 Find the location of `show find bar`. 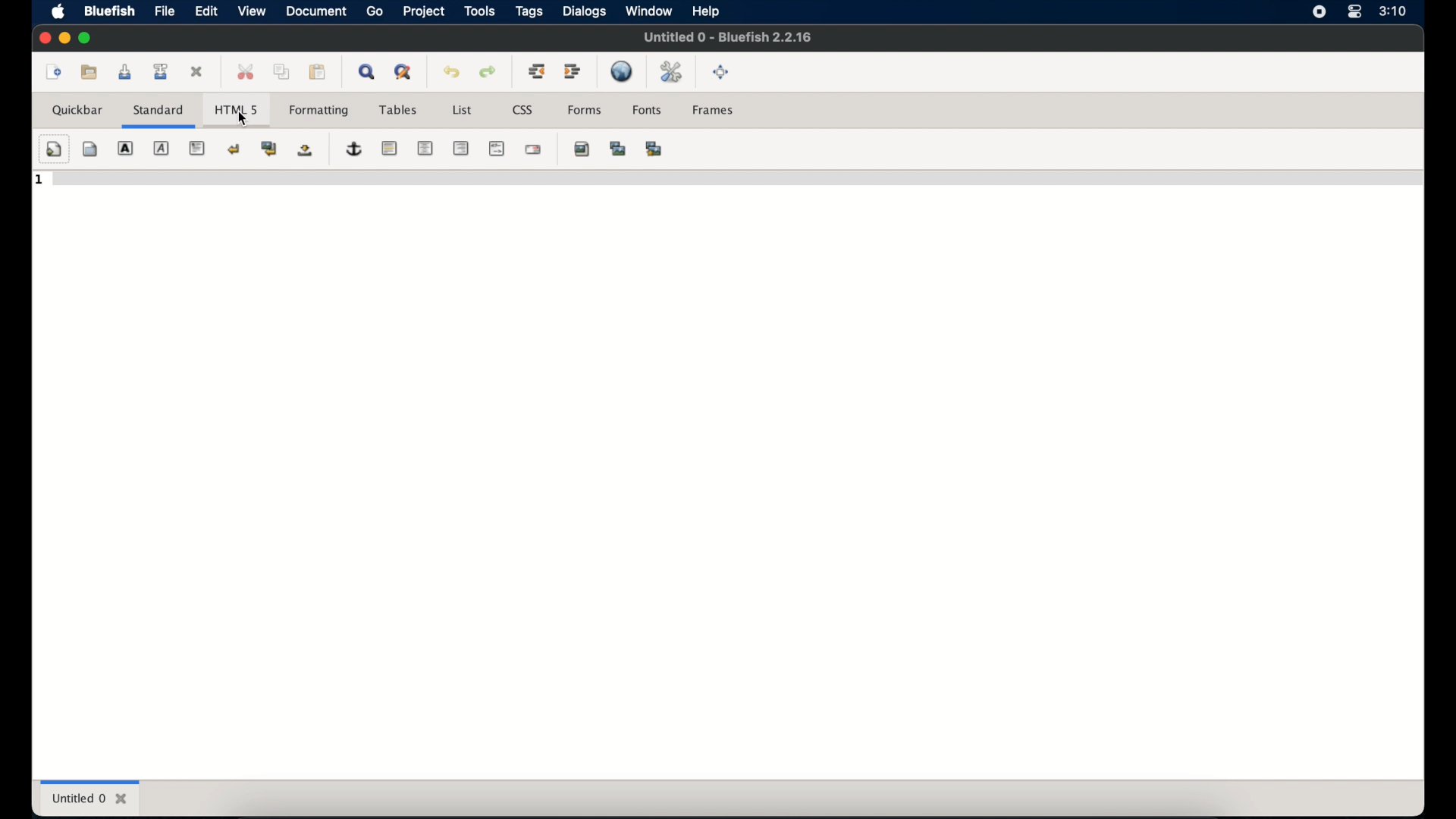

show find bar is located at coordinates (369, 71).